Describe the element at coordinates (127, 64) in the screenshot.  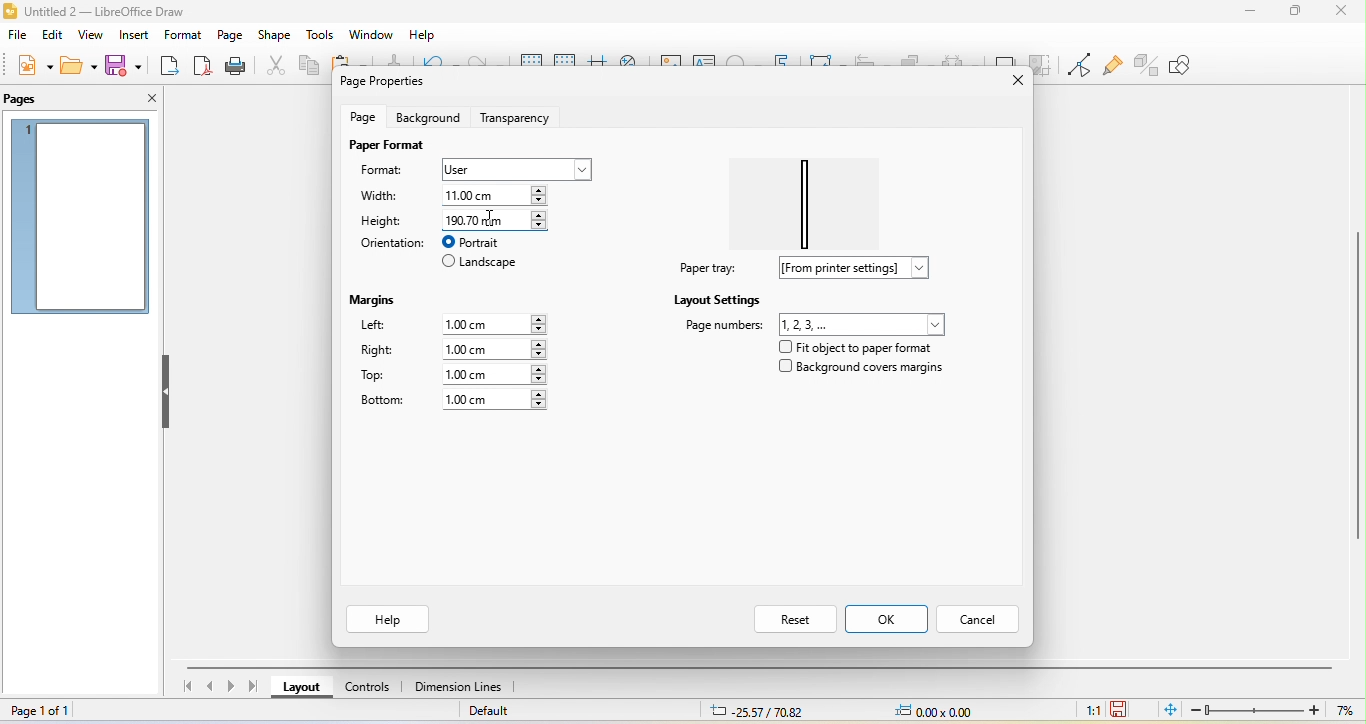
I see `save` at that location.